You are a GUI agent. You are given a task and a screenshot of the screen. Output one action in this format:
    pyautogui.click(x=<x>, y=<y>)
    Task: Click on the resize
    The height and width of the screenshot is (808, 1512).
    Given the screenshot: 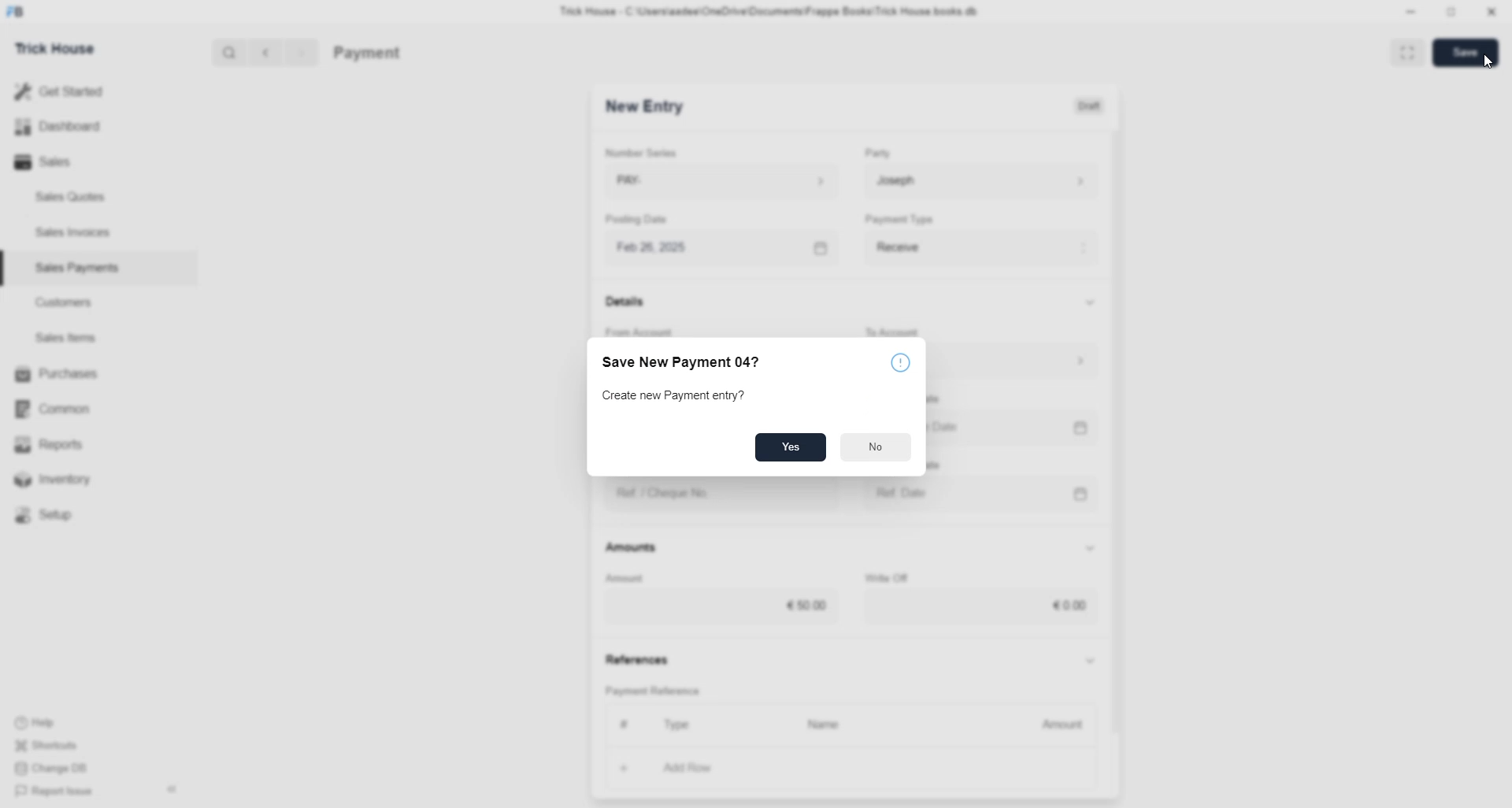 What is the action you would take?
    pyautogui.click(x=1452, y=12)
    